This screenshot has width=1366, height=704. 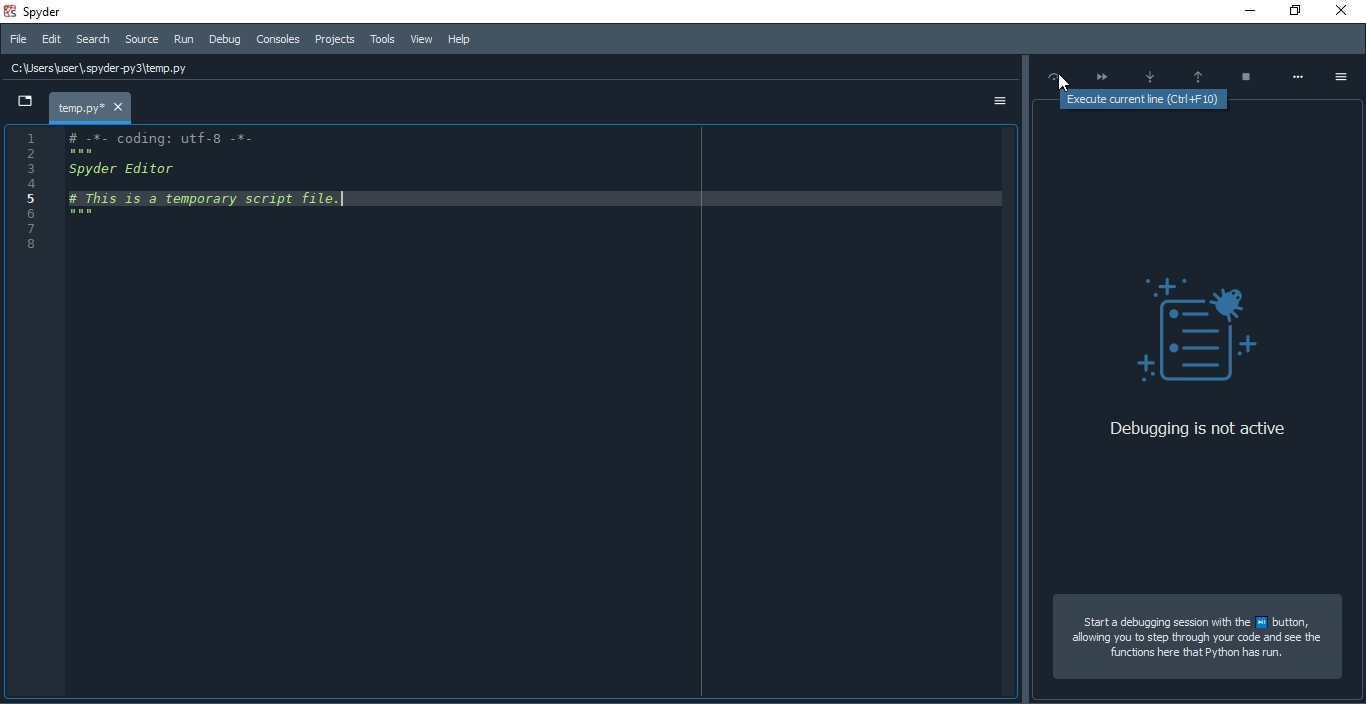 What do you see at coordinates (1144, 100) in the screenshot?
I see `Execute current ine (Ctrl+F 10)` at bounding box center [1144, 100].